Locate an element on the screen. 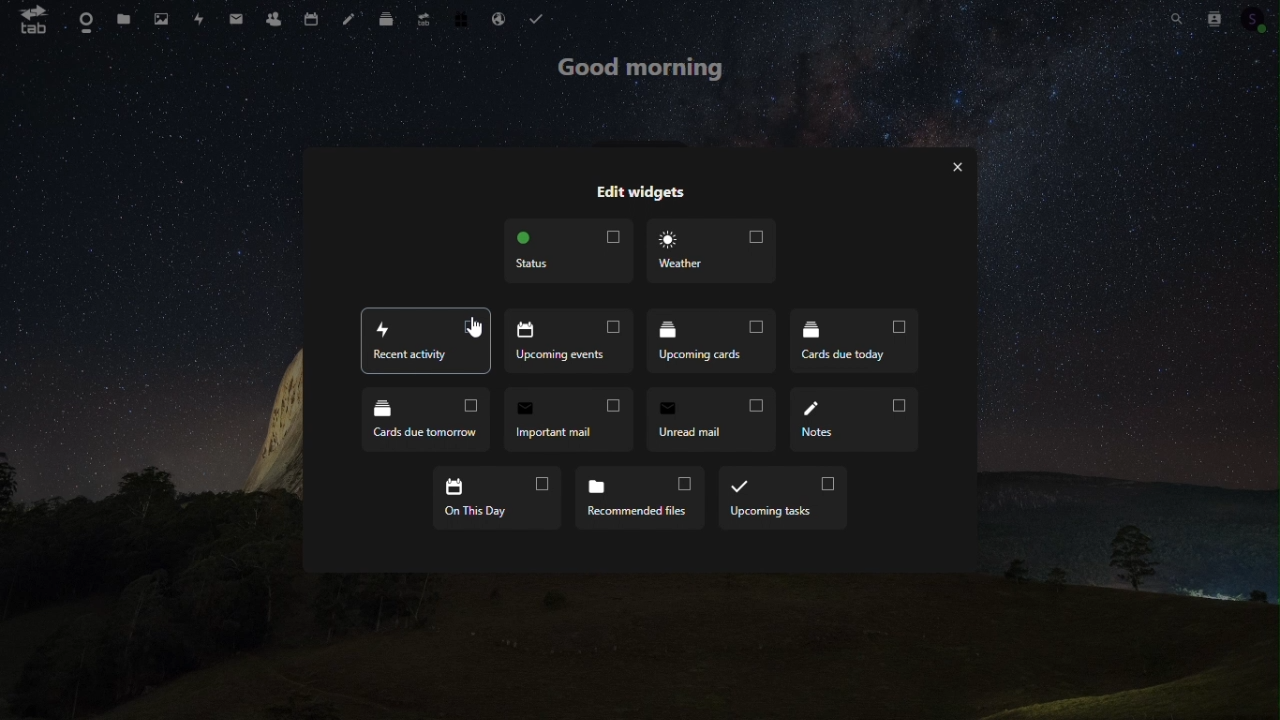  Notes is located at coordinates (855, 420).